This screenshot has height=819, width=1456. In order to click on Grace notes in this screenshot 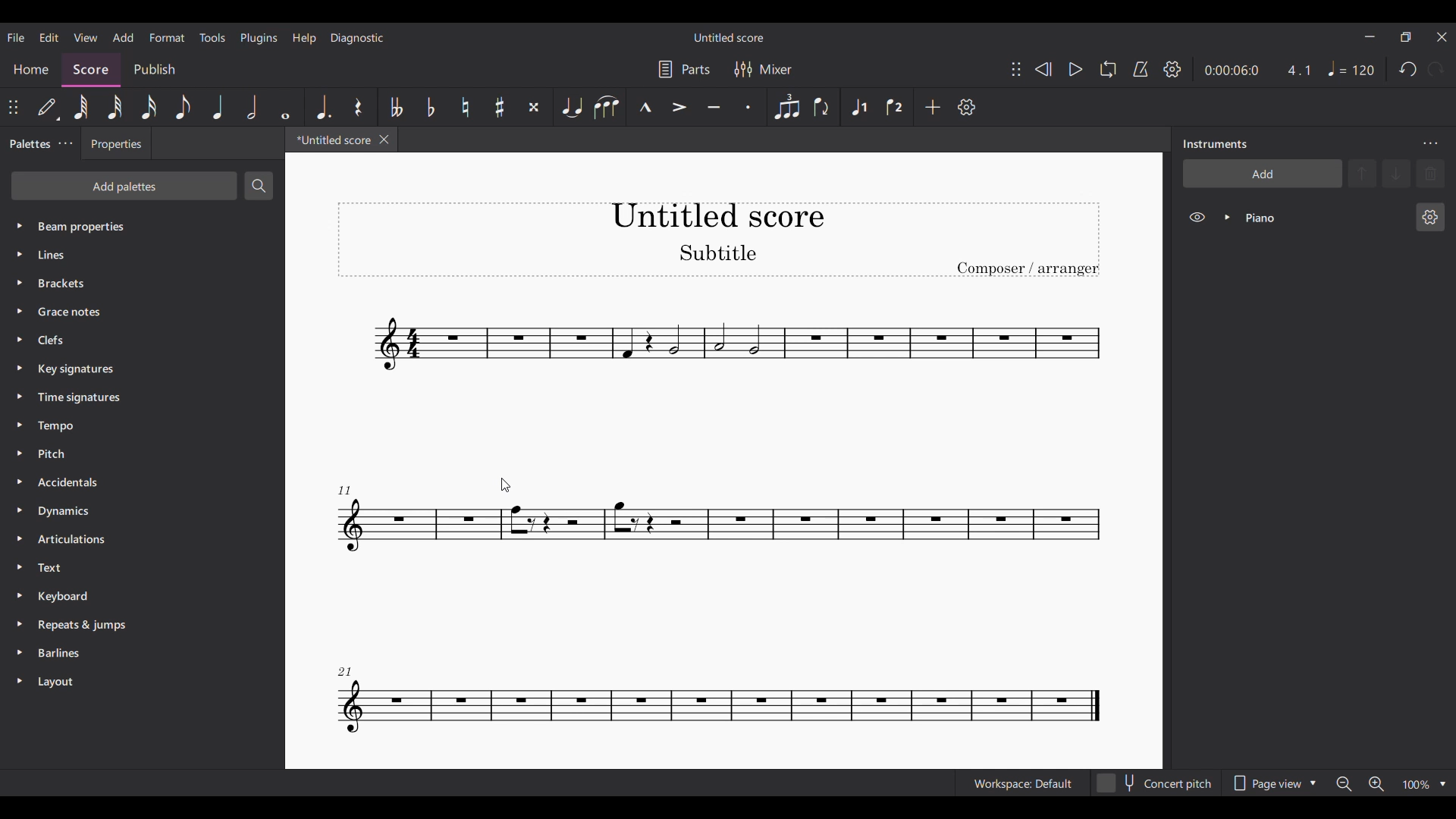, I will do `click(141, 309)`.